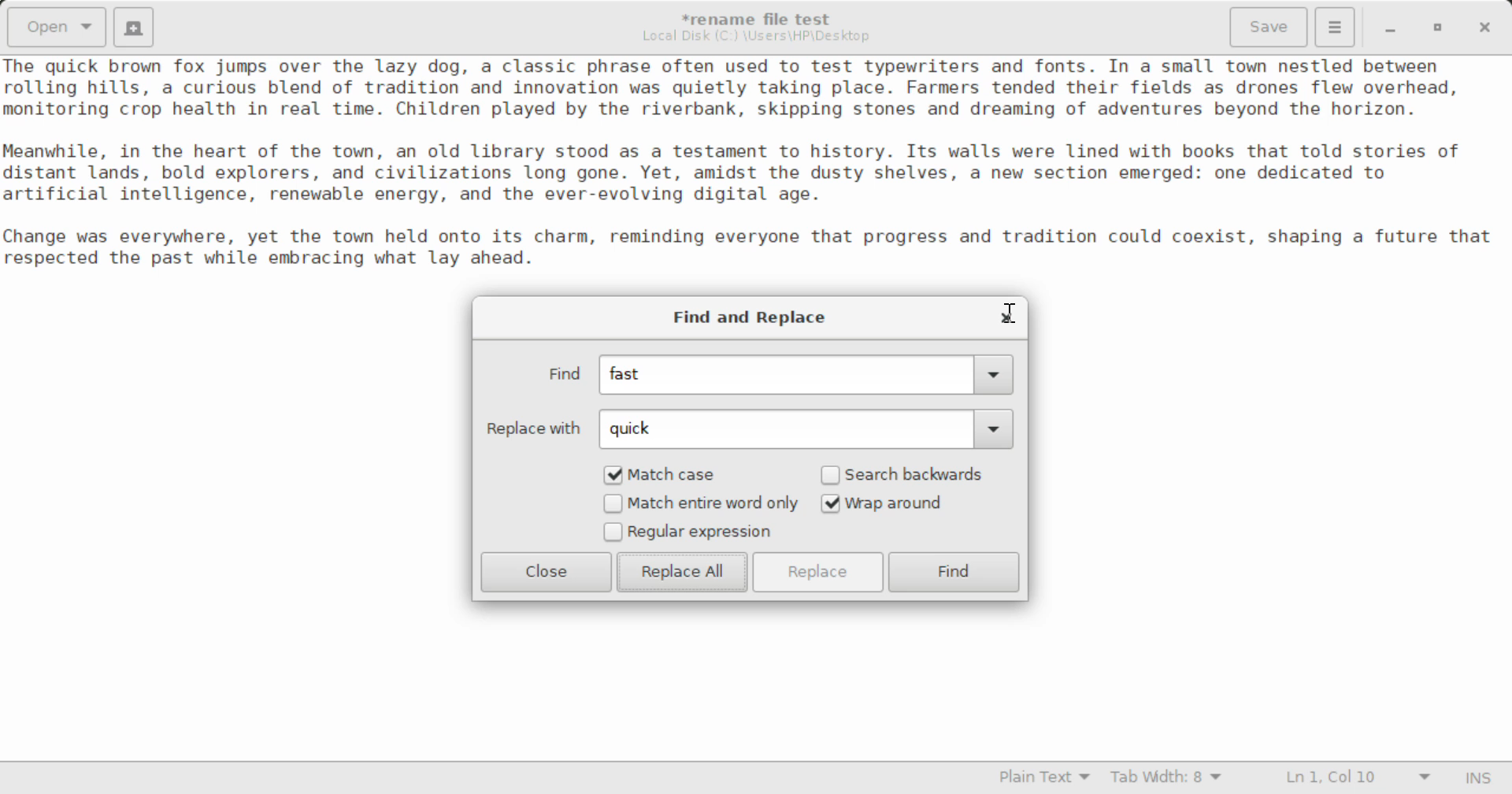 The width and height of the screenshot is (1512, 794). What do you see at coordinates (1440, 27) in the screenshot?
I see `Minimize` at bounding box center [1440, 27].